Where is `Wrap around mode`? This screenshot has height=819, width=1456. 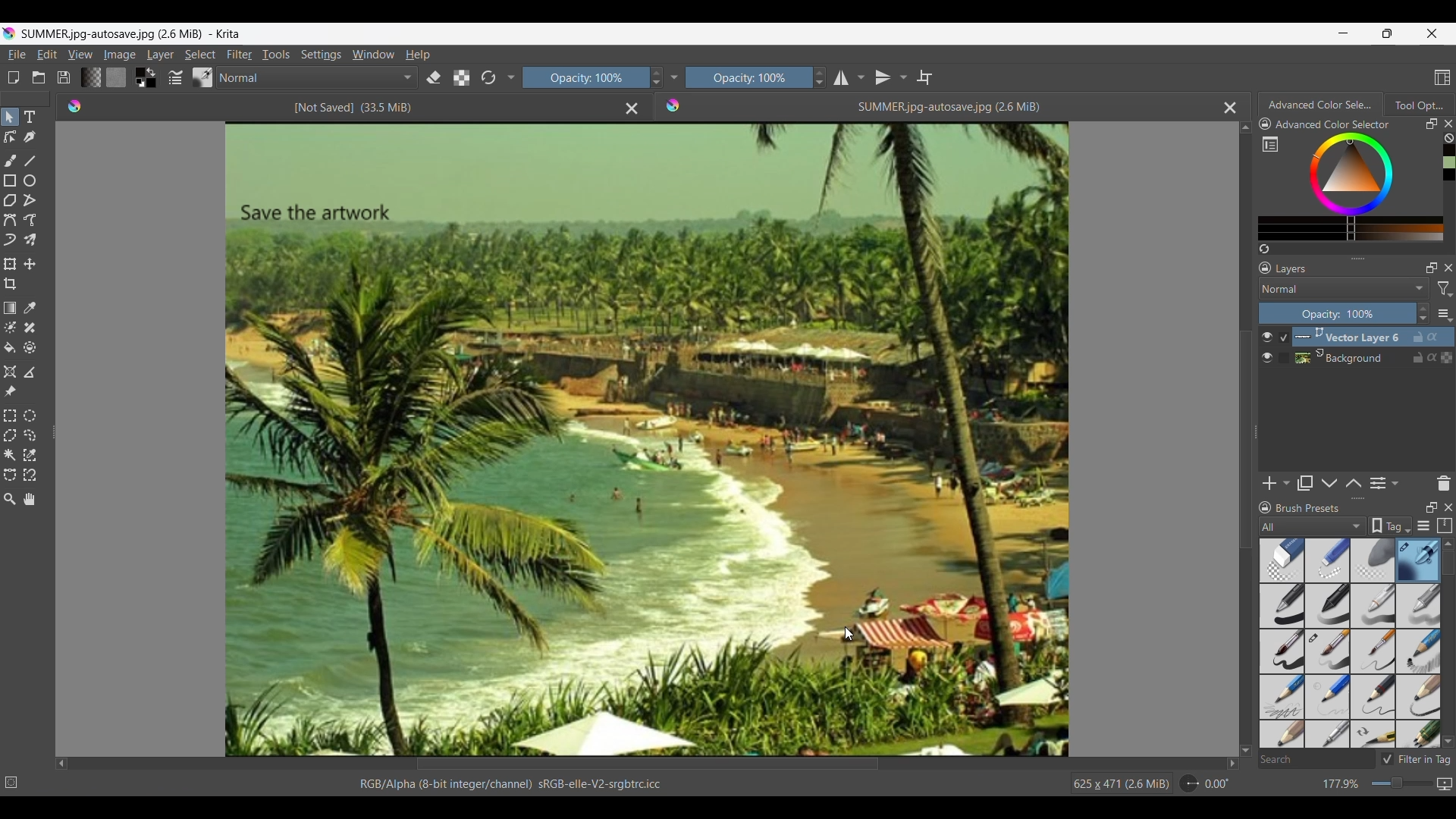
Wrap around mode is located at coordinates (925, 77).